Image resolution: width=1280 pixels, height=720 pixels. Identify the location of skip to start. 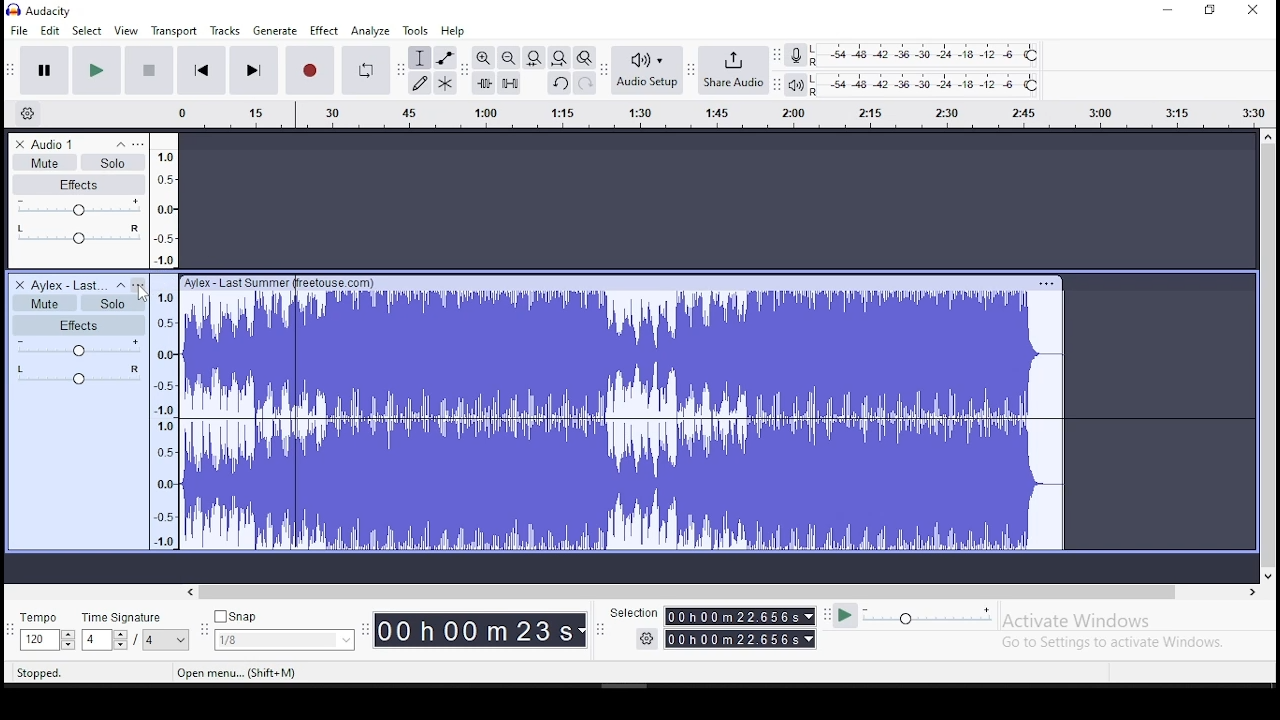
(199, 70).